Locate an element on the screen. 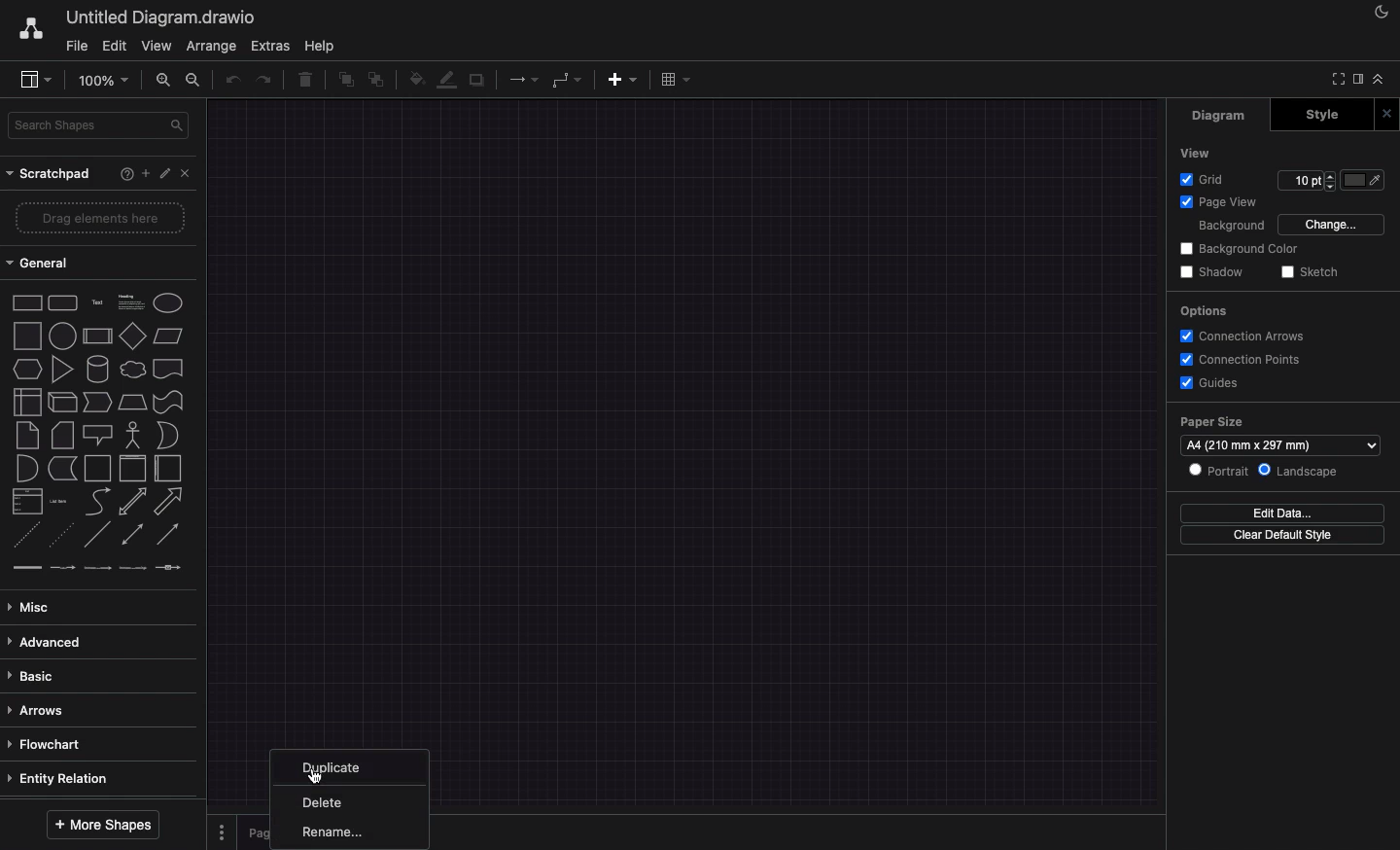 This screenshot has height=850, width=1400. text is located at coordinates (130, 301).